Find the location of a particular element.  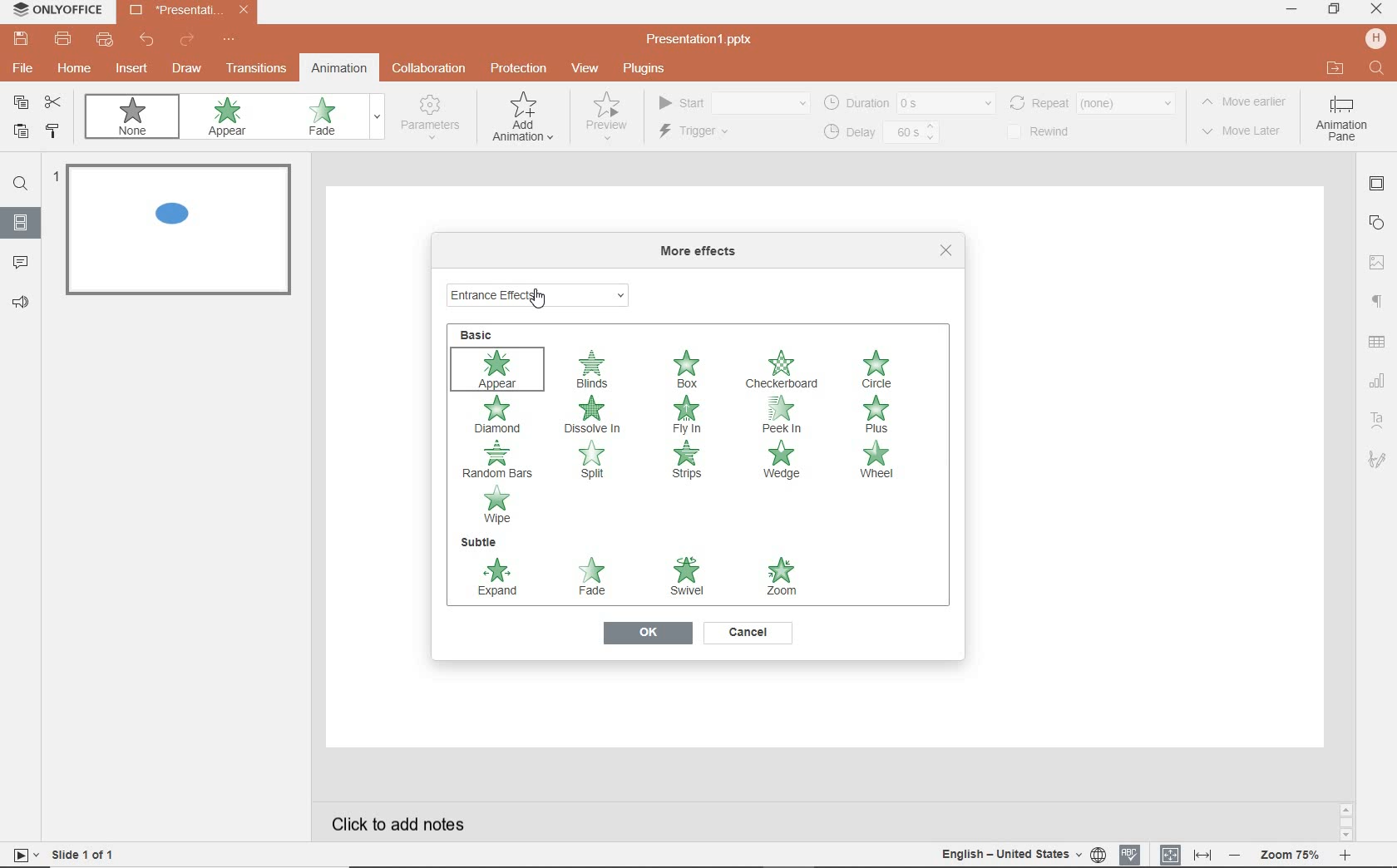

MORE EFFECTS is located at coordinates (703, 252).